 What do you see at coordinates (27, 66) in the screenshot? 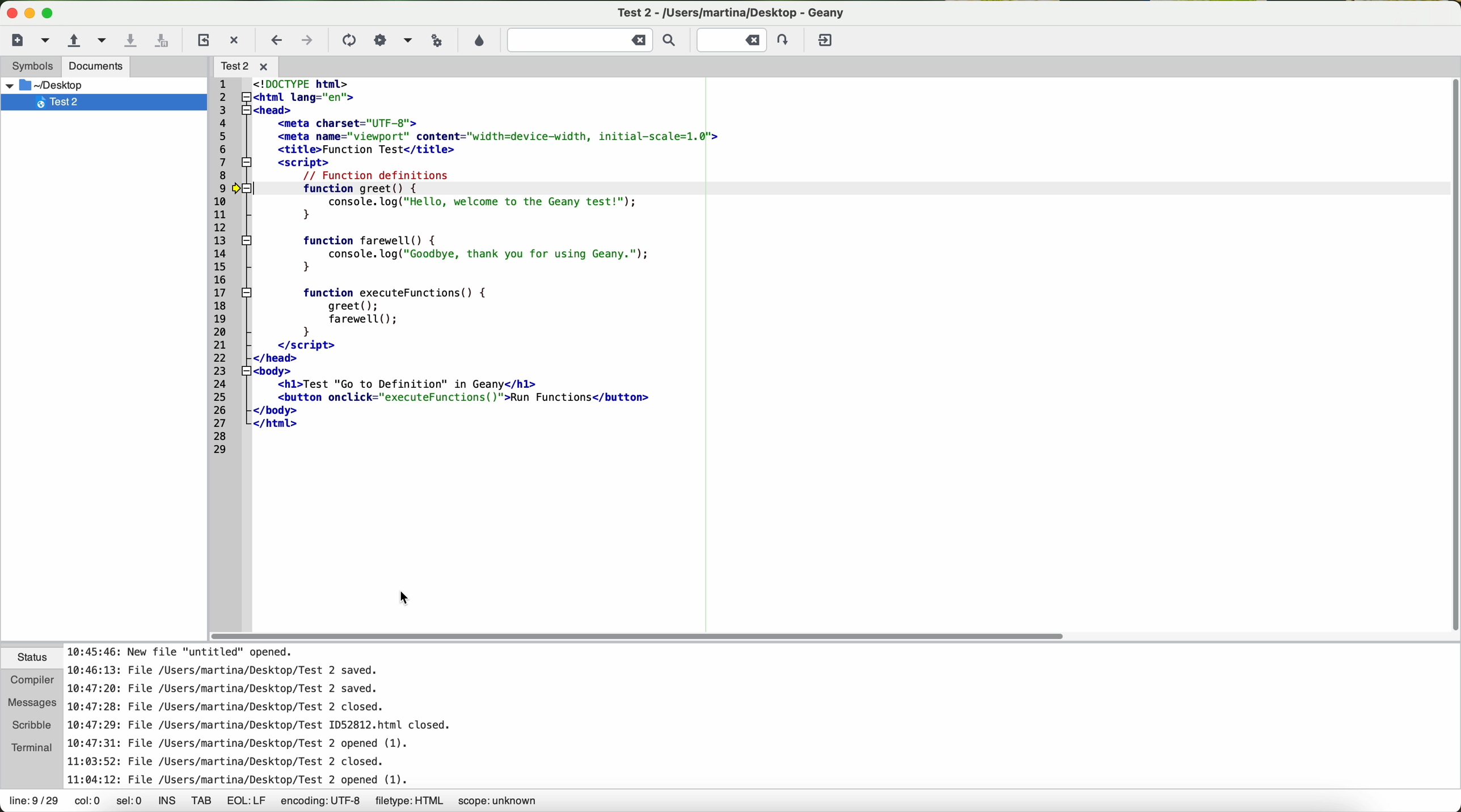
I see `symbols` at bounding box center [27, 66].